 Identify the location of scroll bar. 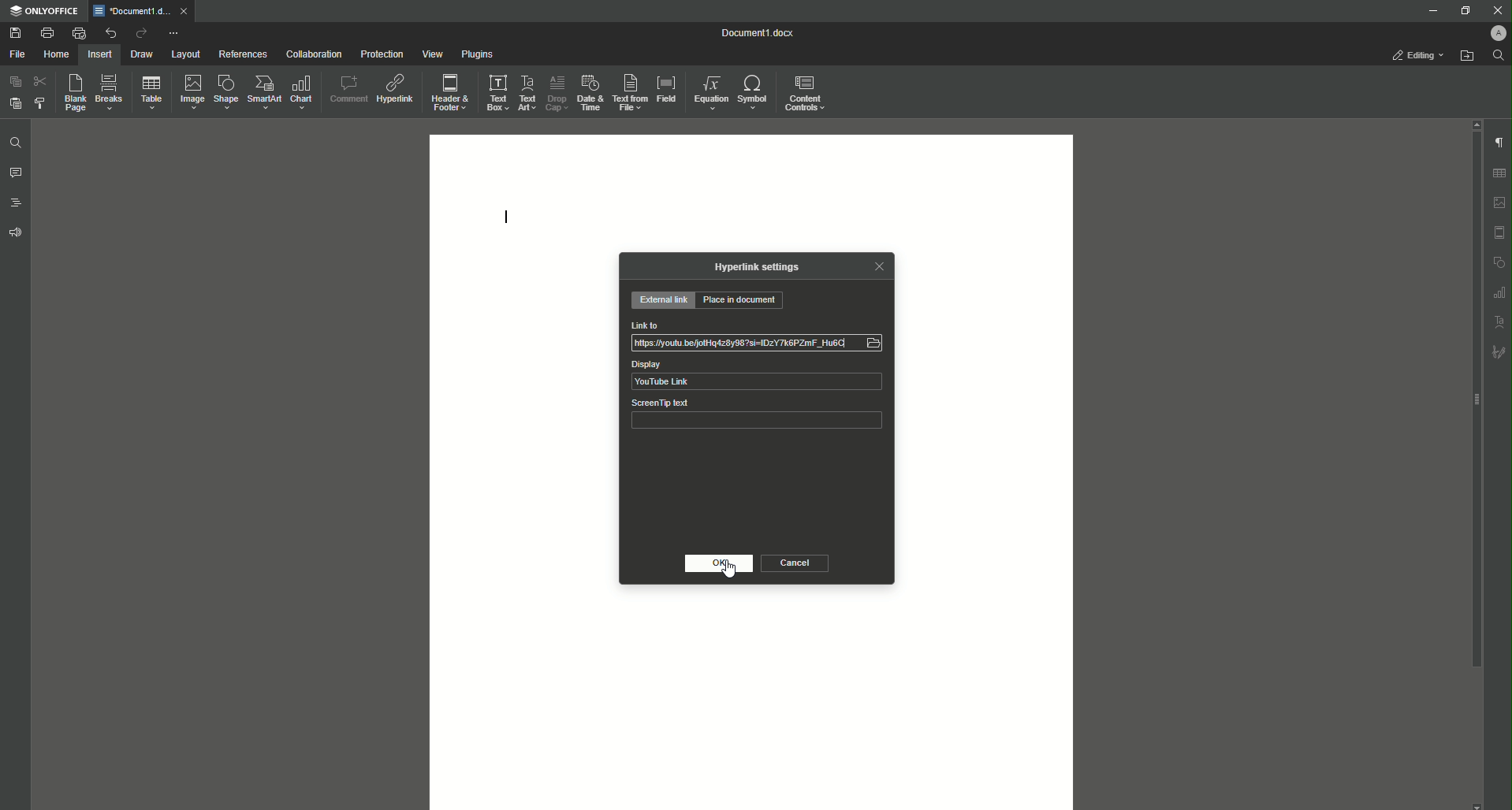
(1475, 399).